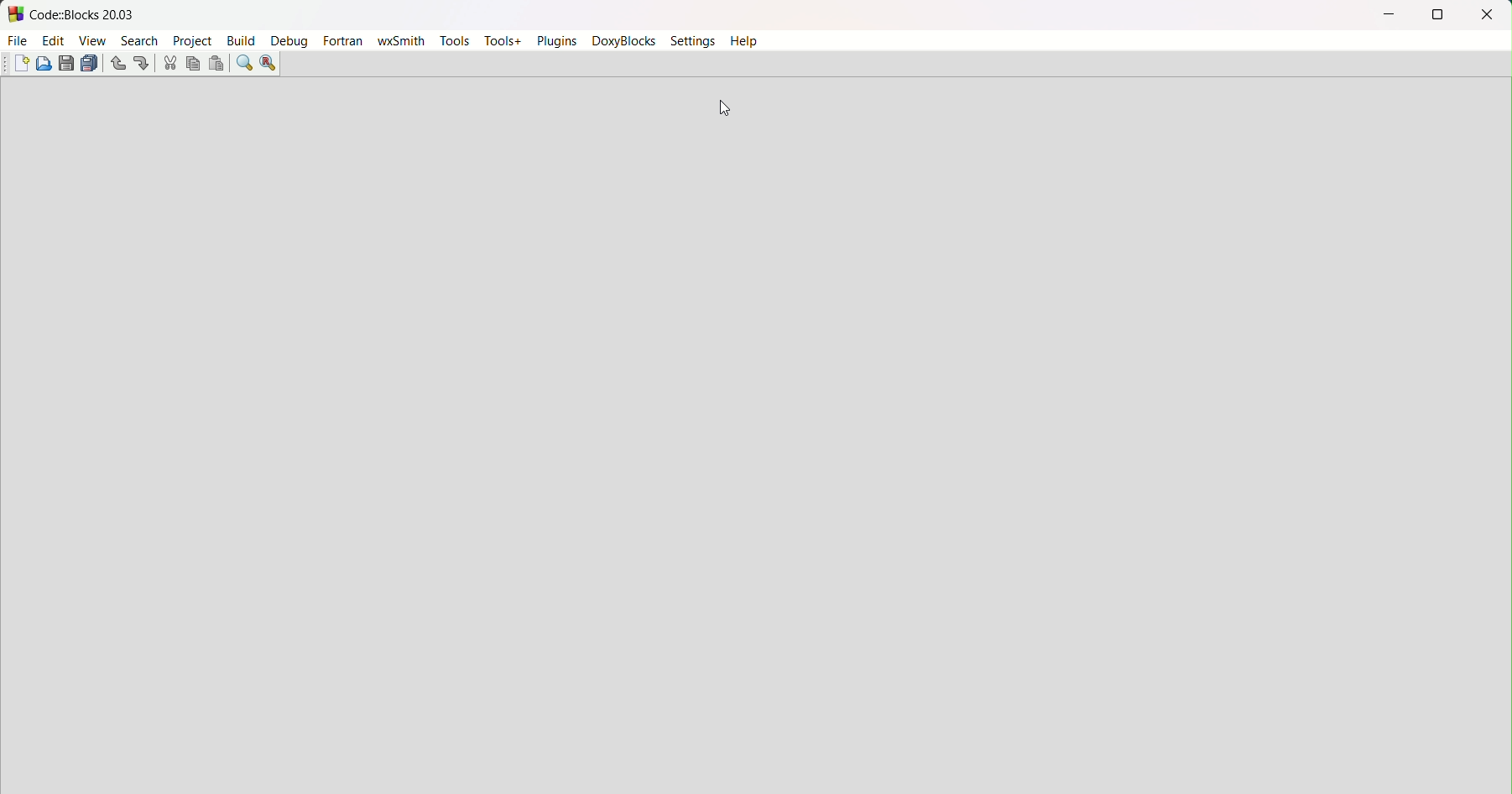 This screenshot has width=1512, height=794. What do you see at coordinates (727, 111) in the screenshot?
I see `cursor` at bounding box center [727, 111].